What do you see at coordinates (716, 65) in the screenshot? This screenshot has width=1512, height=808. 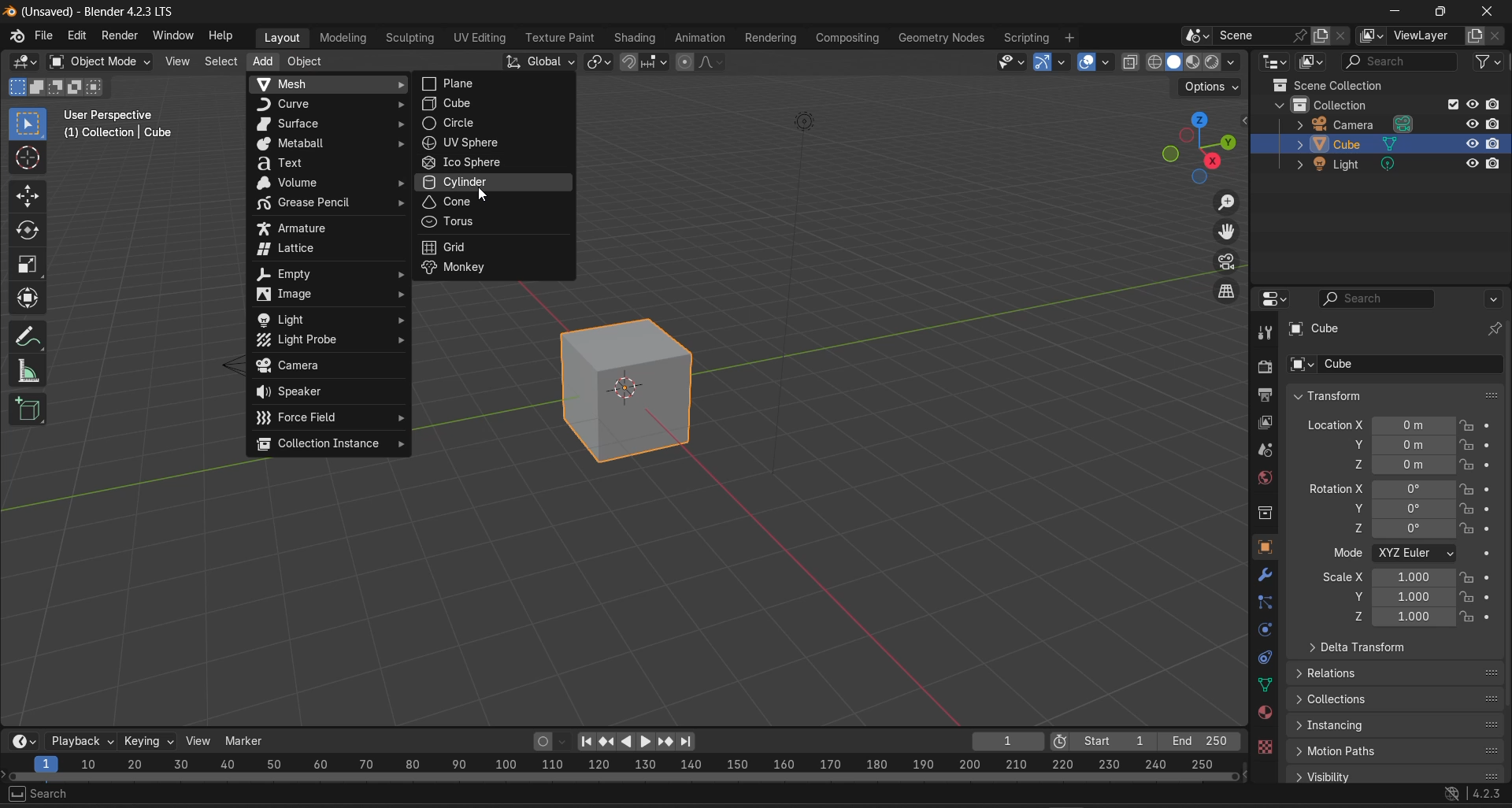 I see `proportional editing fall off` at bounding box center [716, 65].